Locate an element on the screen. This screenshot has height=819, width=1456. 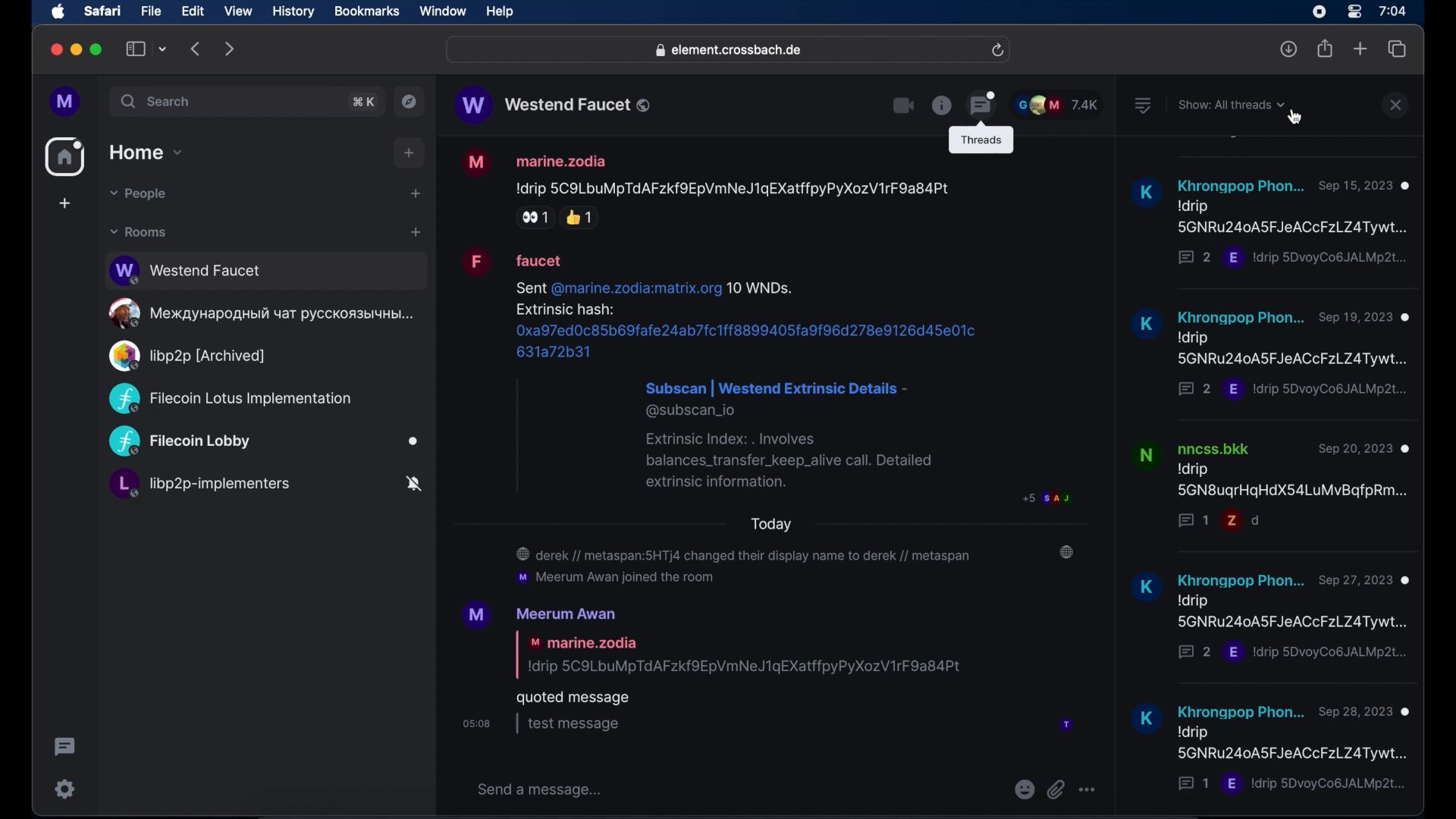
start chat is located at coordinates (416, 194).